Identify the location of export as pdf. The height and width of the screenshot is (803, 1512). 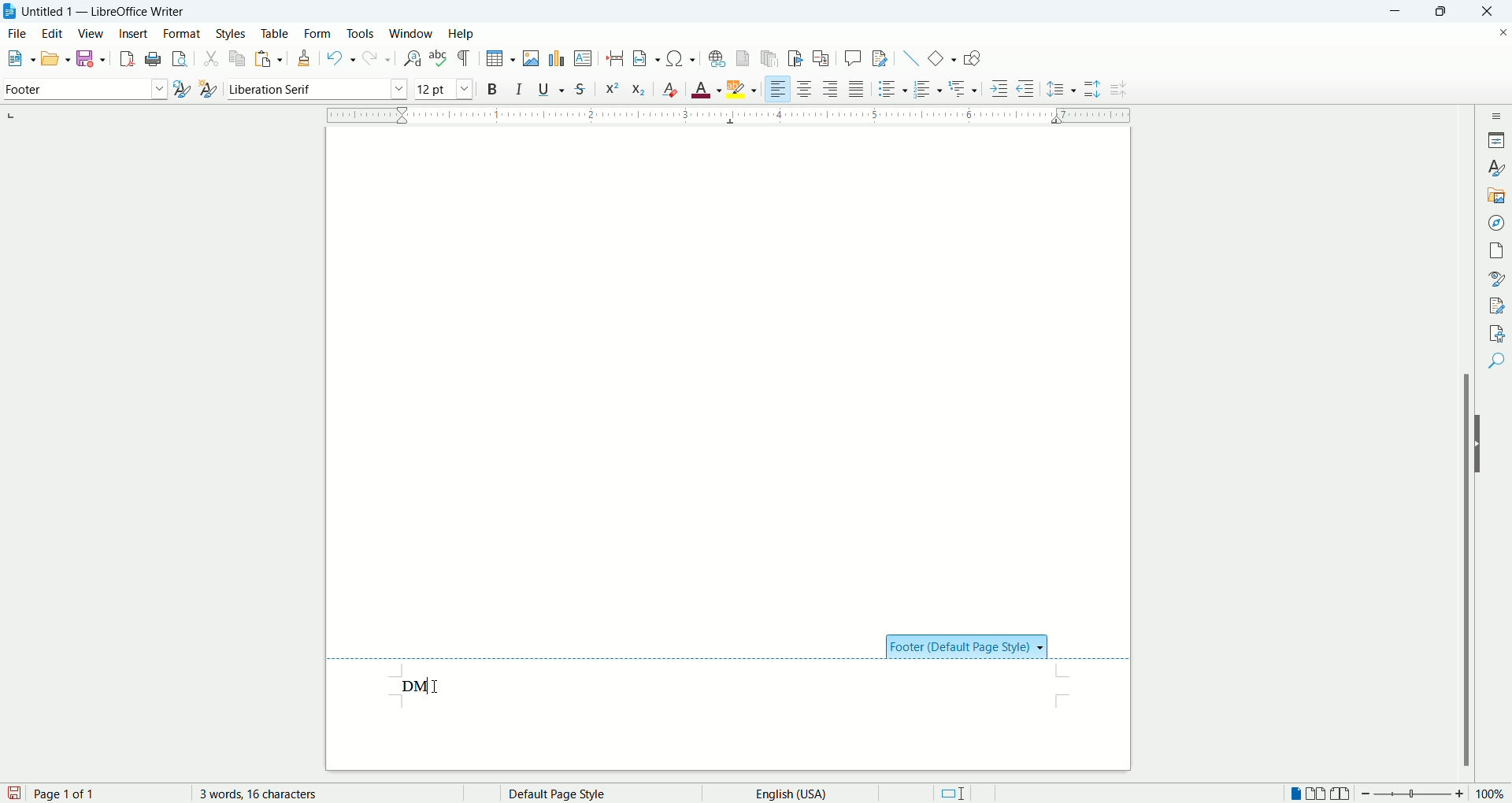
(124, 58).